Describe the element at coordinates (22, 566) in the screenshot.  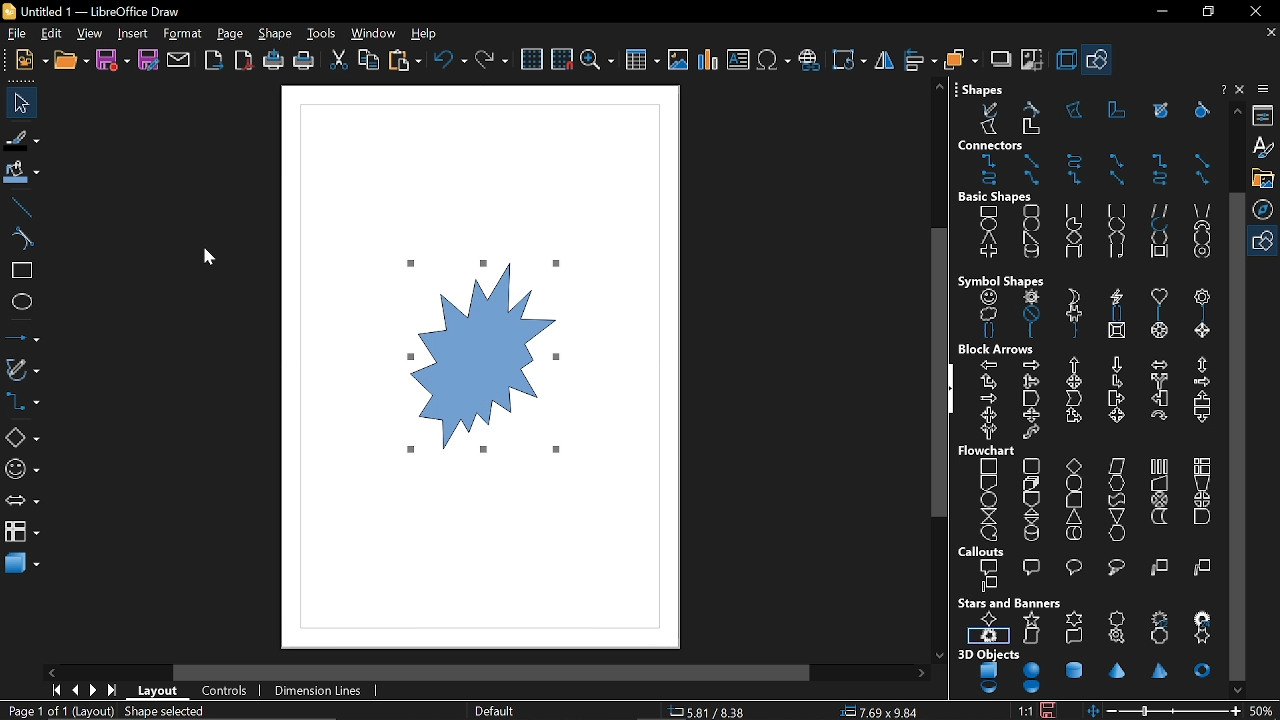
I see `3d shapes` at that location.